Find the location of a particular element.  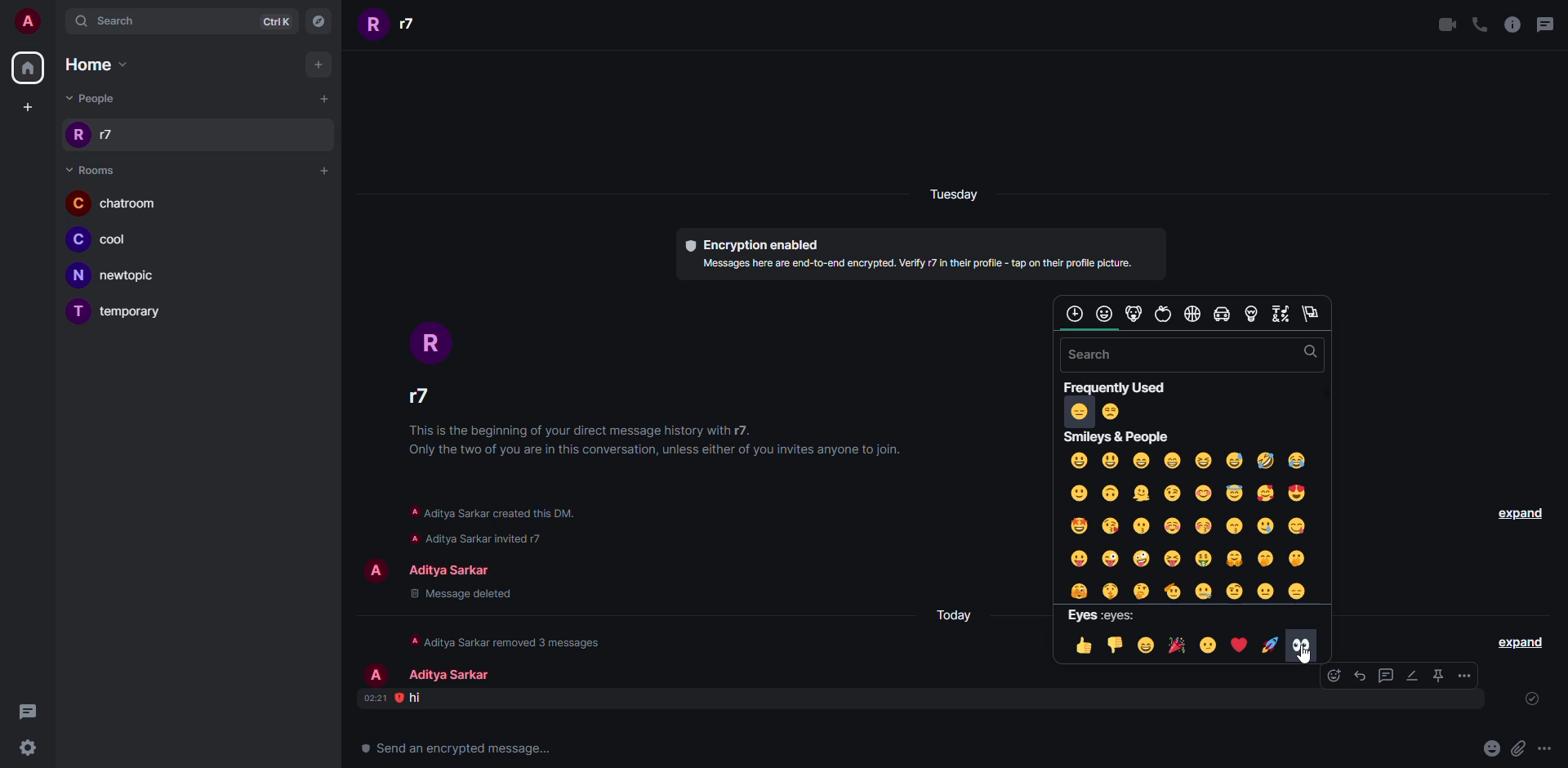

category is located at coordinates (1281, 314).